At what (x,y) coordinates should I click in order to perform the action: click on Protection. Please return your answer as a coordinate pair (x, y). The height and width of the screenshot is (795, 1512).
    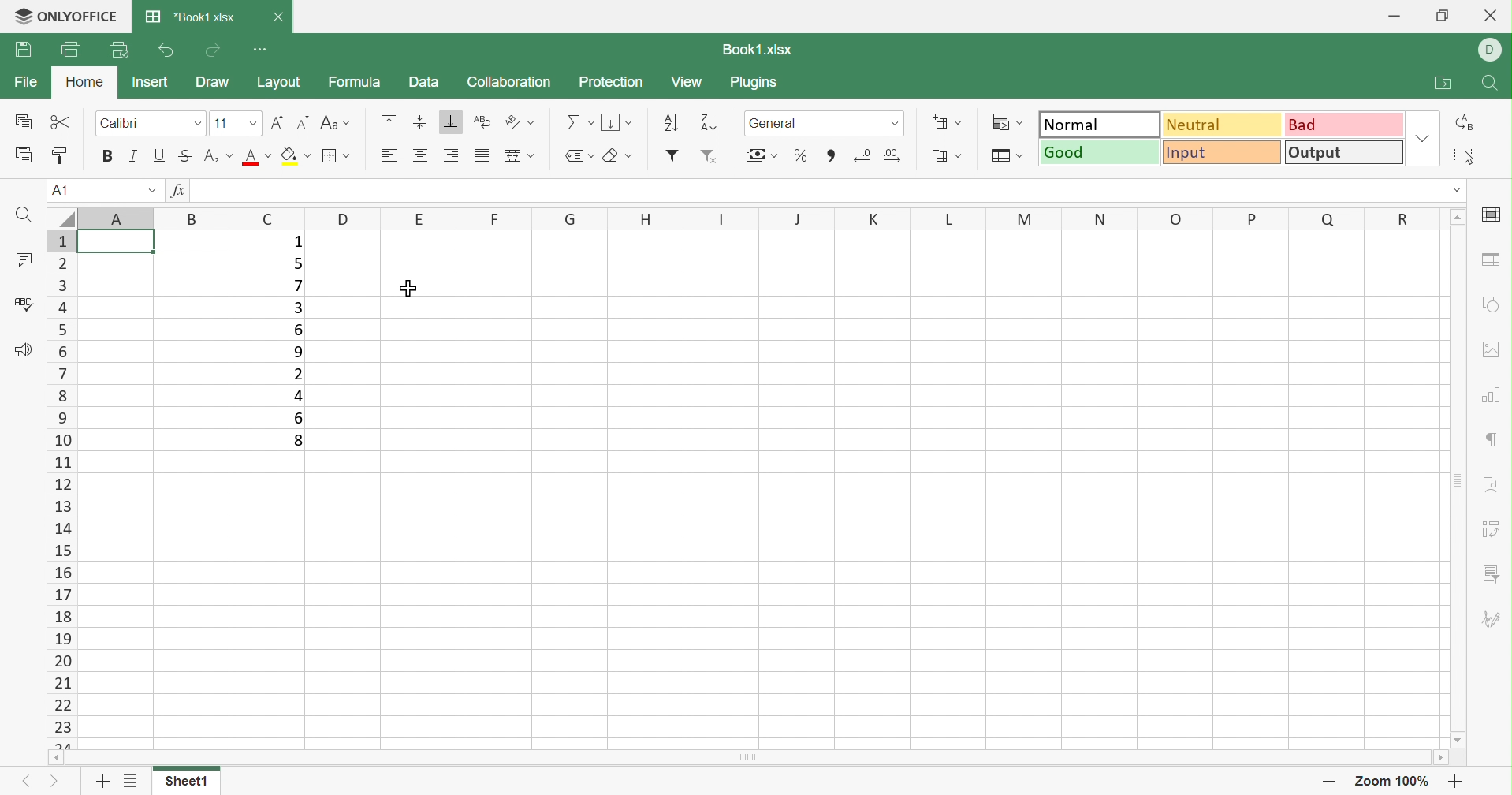
    Looking at the image, I should click on (612, 83).